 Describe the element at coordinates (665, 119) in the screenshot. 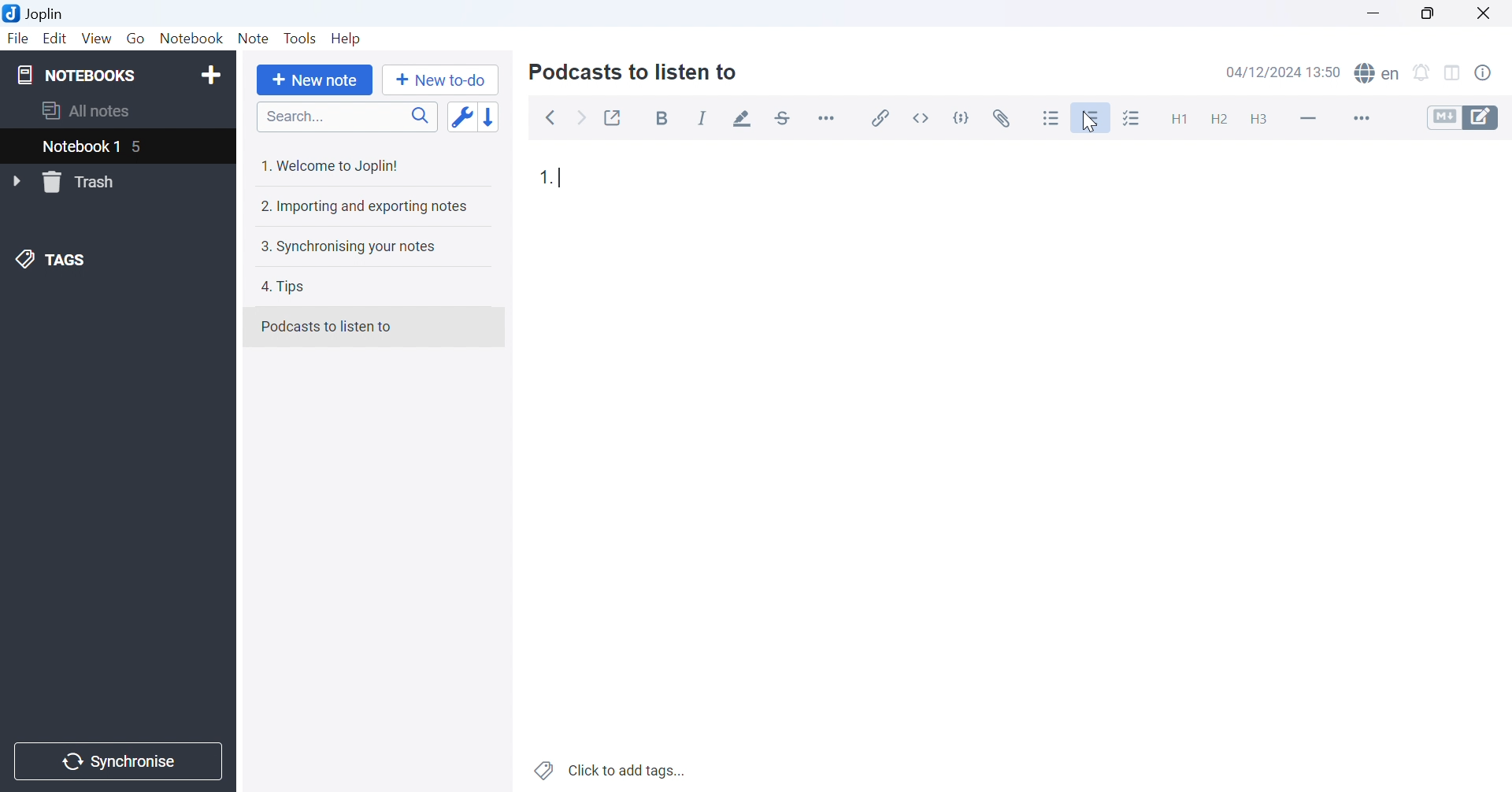

I see `Bold` at that location.